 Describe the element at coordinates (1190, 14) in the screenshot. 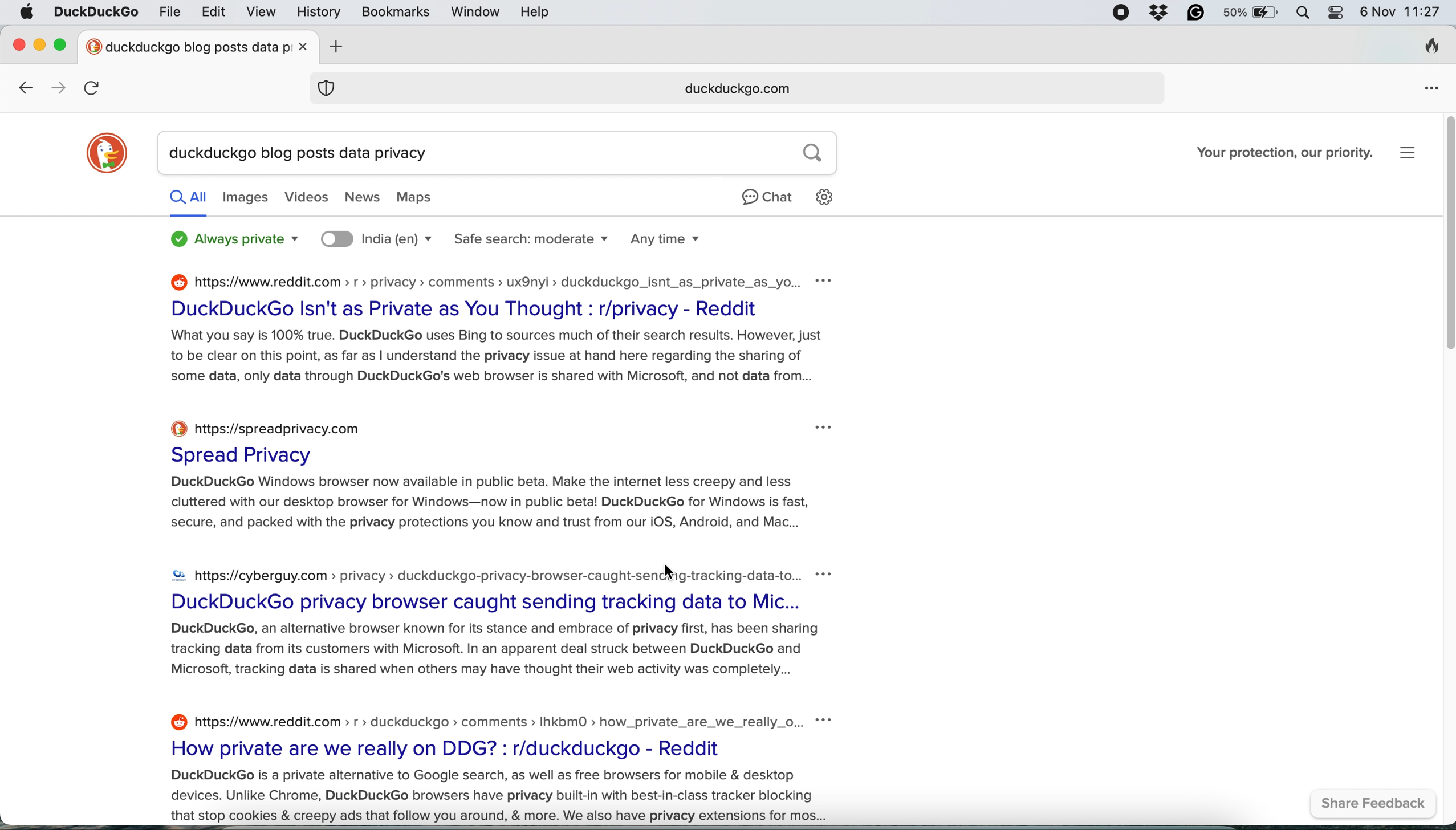

I see `grammarly` at that location.